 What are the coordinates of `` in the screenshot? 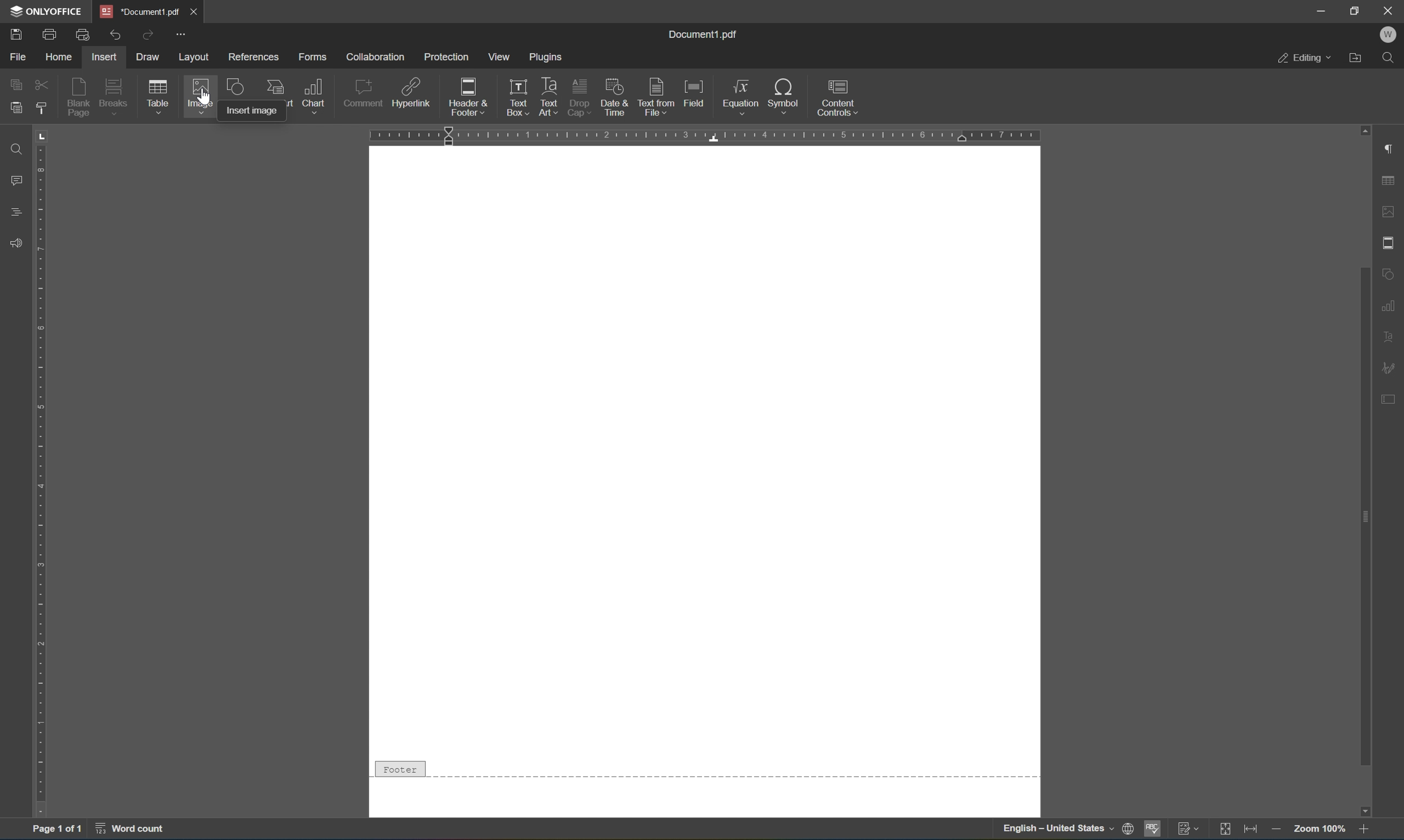 It's located at (1371, 809).